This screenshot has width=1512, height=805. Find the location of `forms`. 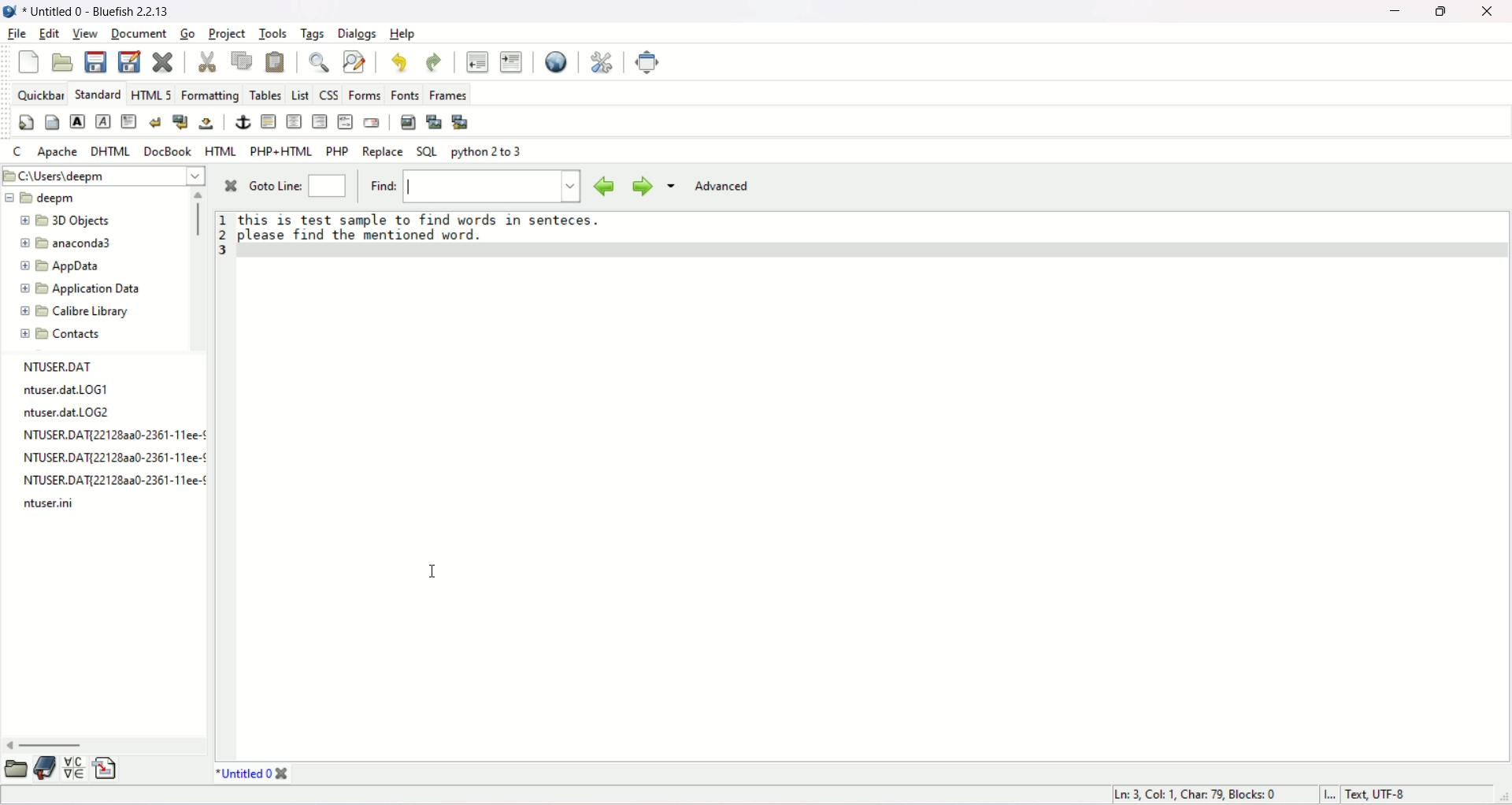

forms is located at coordinates (365, 91).